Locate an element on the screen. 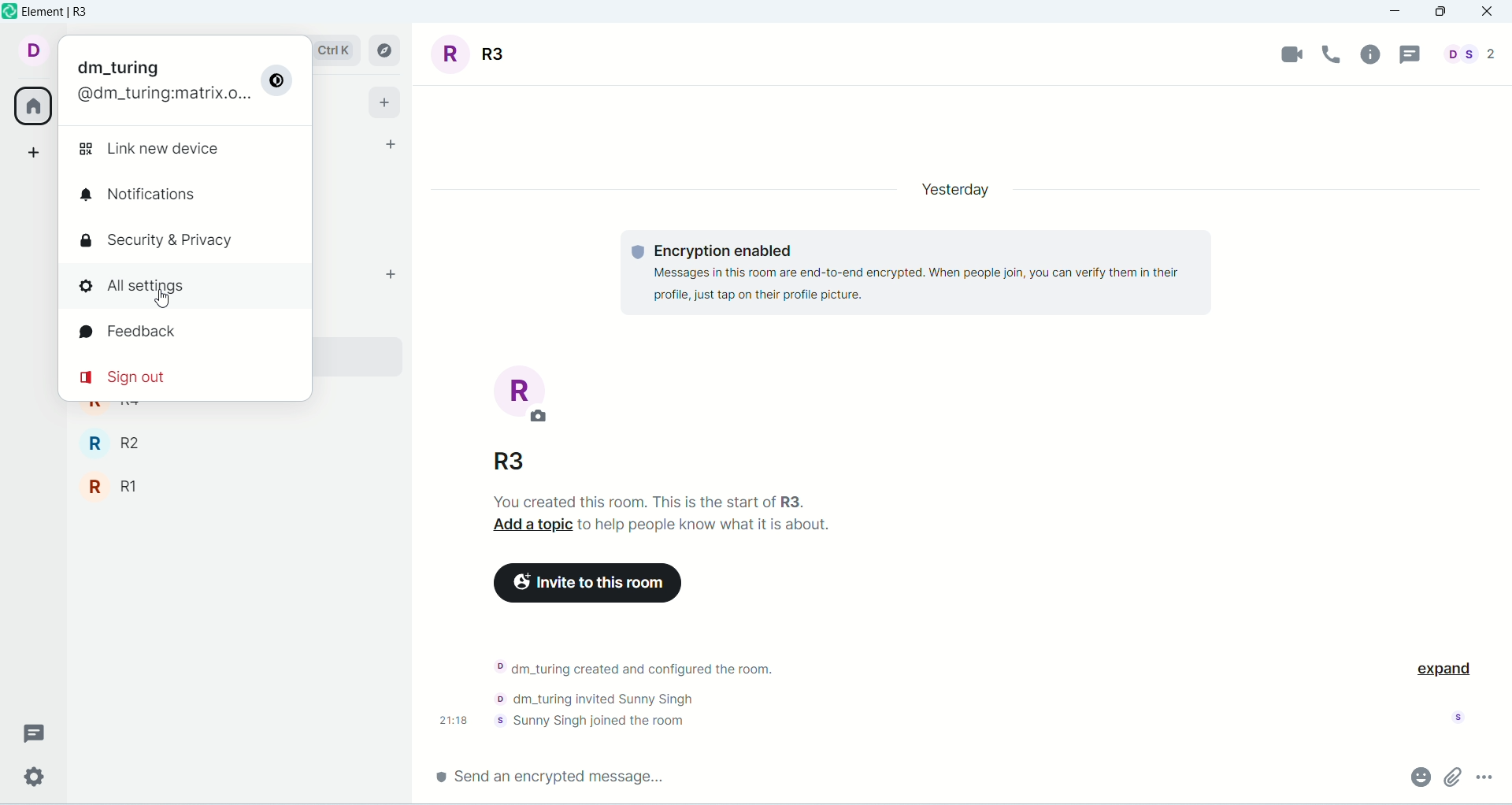 The width and height of the screenshot is (1512, 805). security and privacy is located at coordinates (164, 239).